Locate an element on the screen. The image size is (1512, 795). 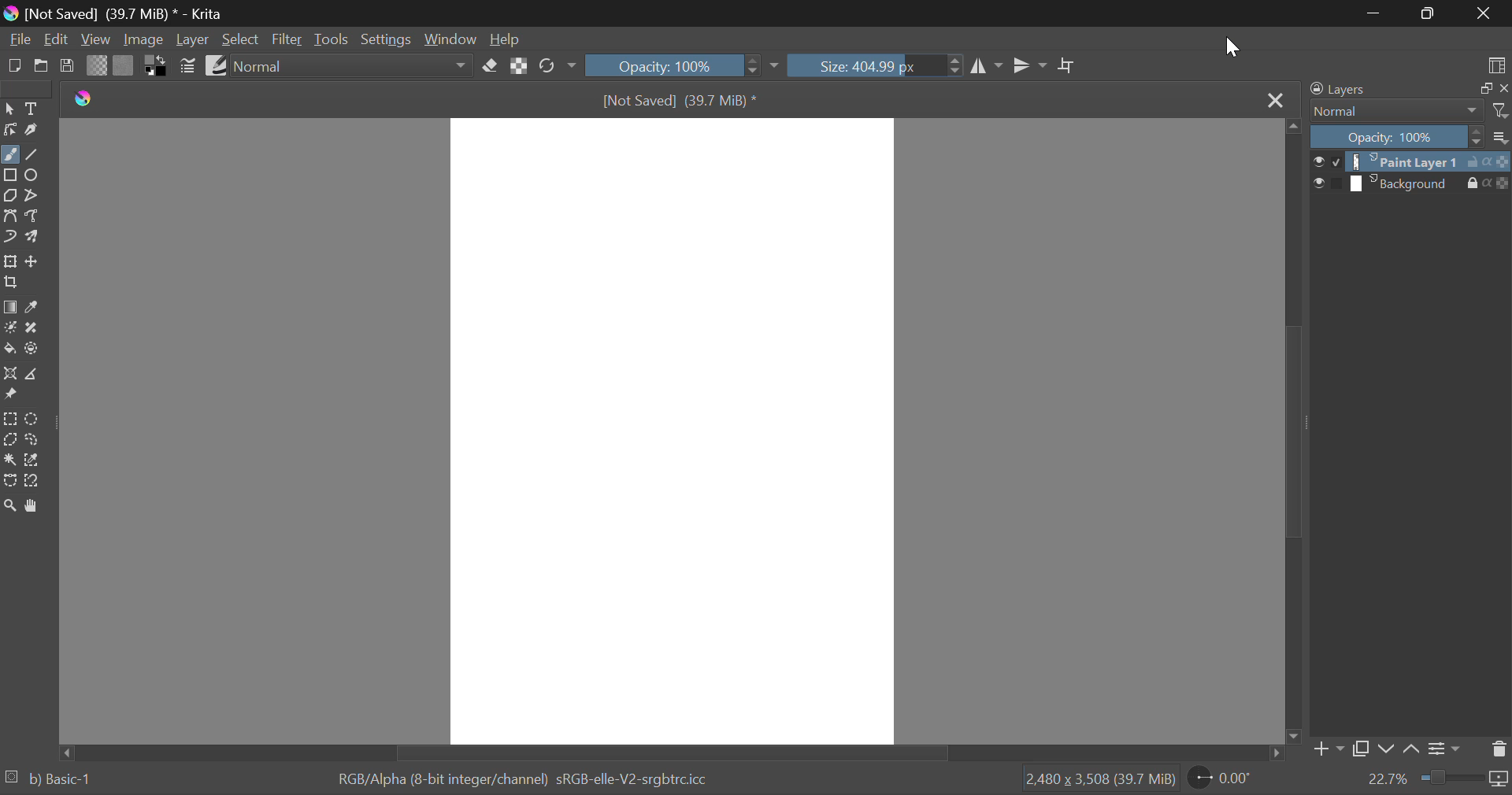
Cursor Position AFTER_LAST_ACTION is located at coordinates (1232, 49).